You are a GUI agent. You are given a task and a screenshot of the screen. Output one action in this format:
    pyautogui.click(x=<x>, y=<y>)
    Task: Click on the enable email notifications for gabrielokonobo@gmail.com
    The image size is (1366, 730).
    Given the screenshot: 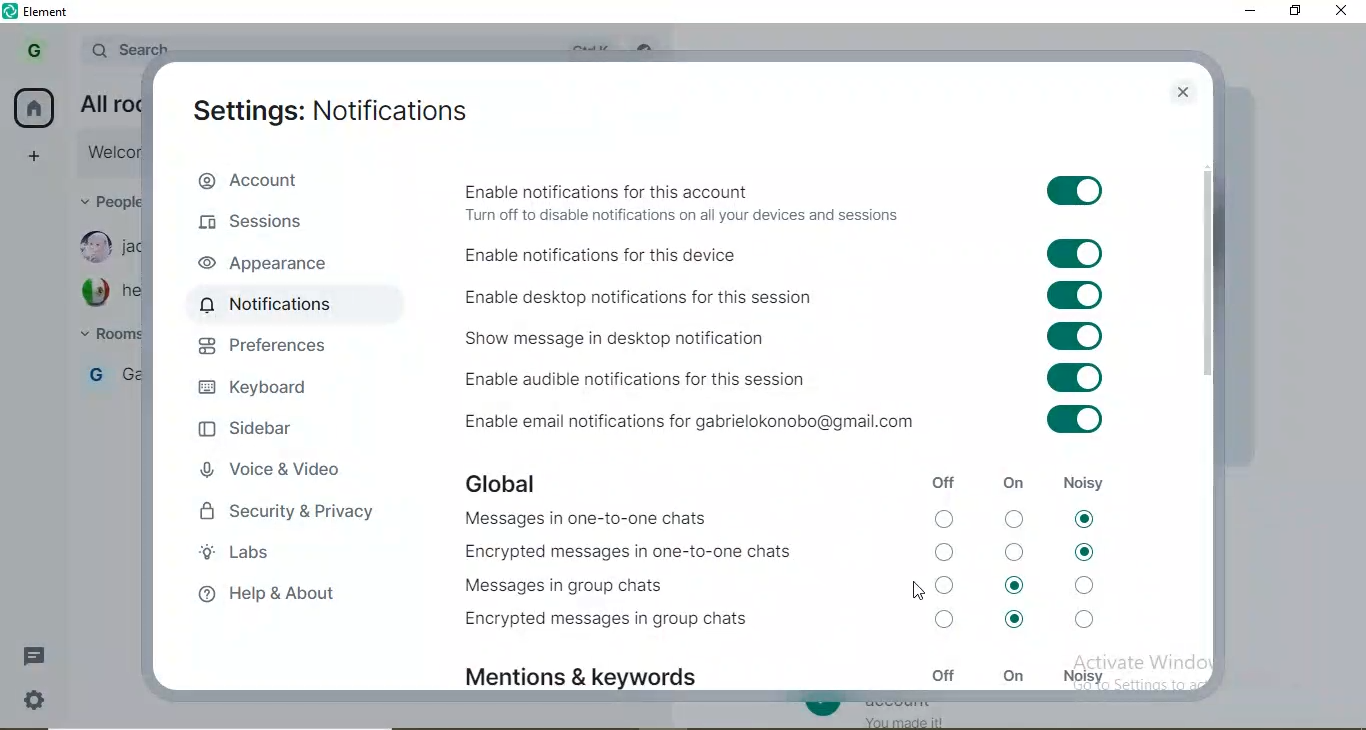 What is the action you would take?
    pyautogui.click(x=723, y=420)
    